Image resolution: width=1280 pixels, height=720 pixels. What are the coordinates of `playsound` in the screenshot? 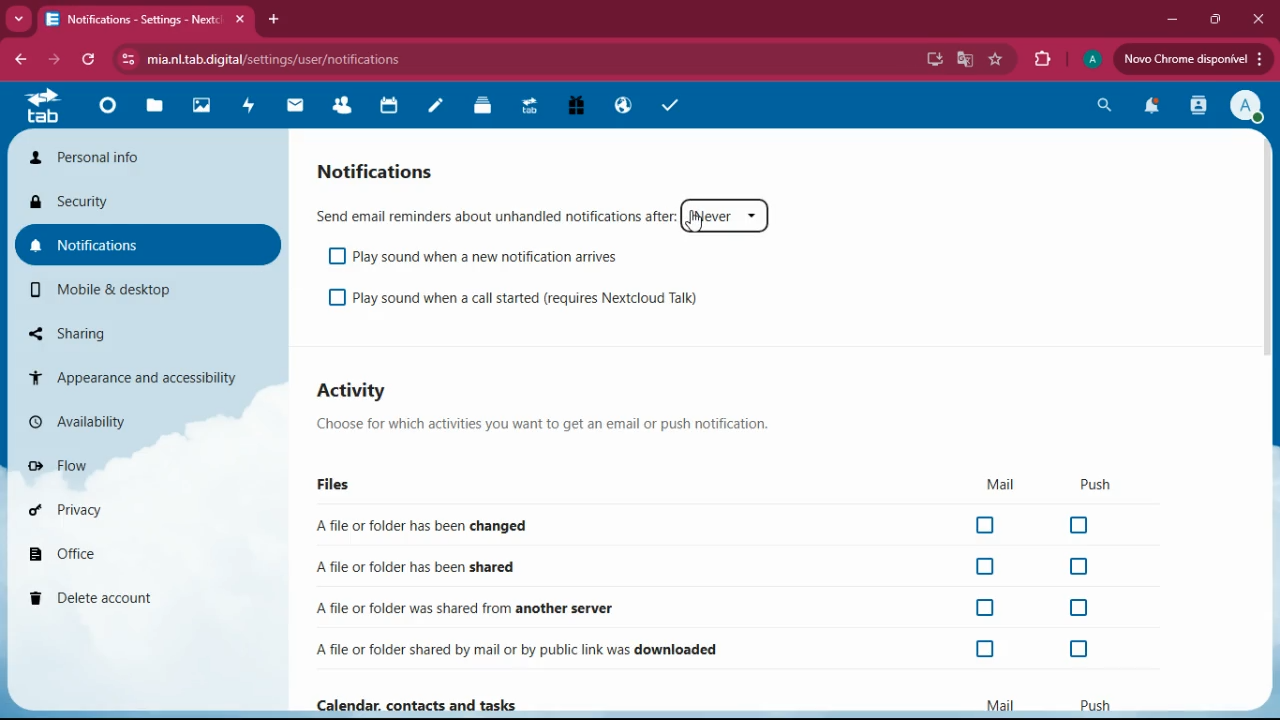 It's located at (496, 256).